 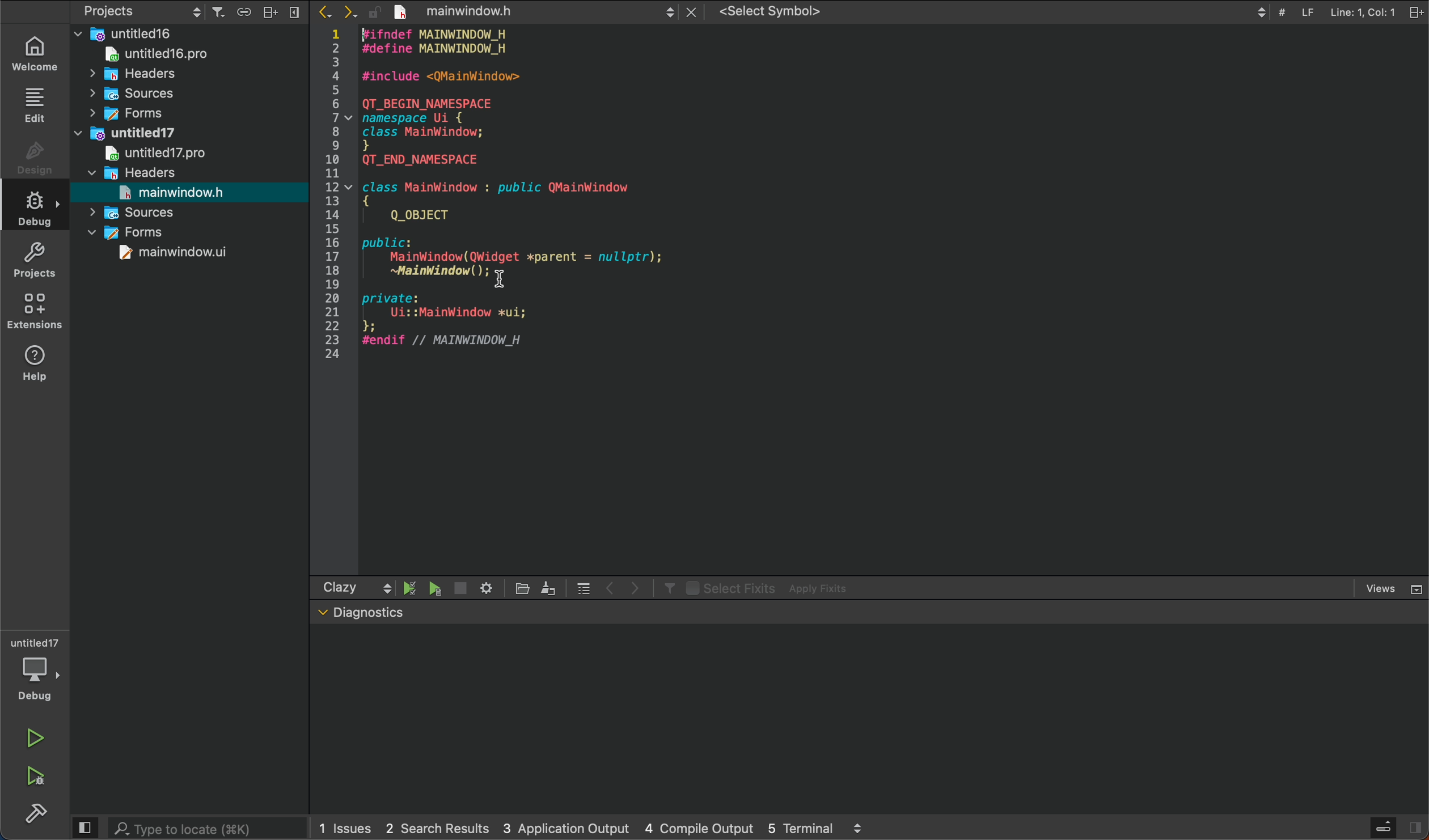 I want to click on New file, so click(x=400, y=11).